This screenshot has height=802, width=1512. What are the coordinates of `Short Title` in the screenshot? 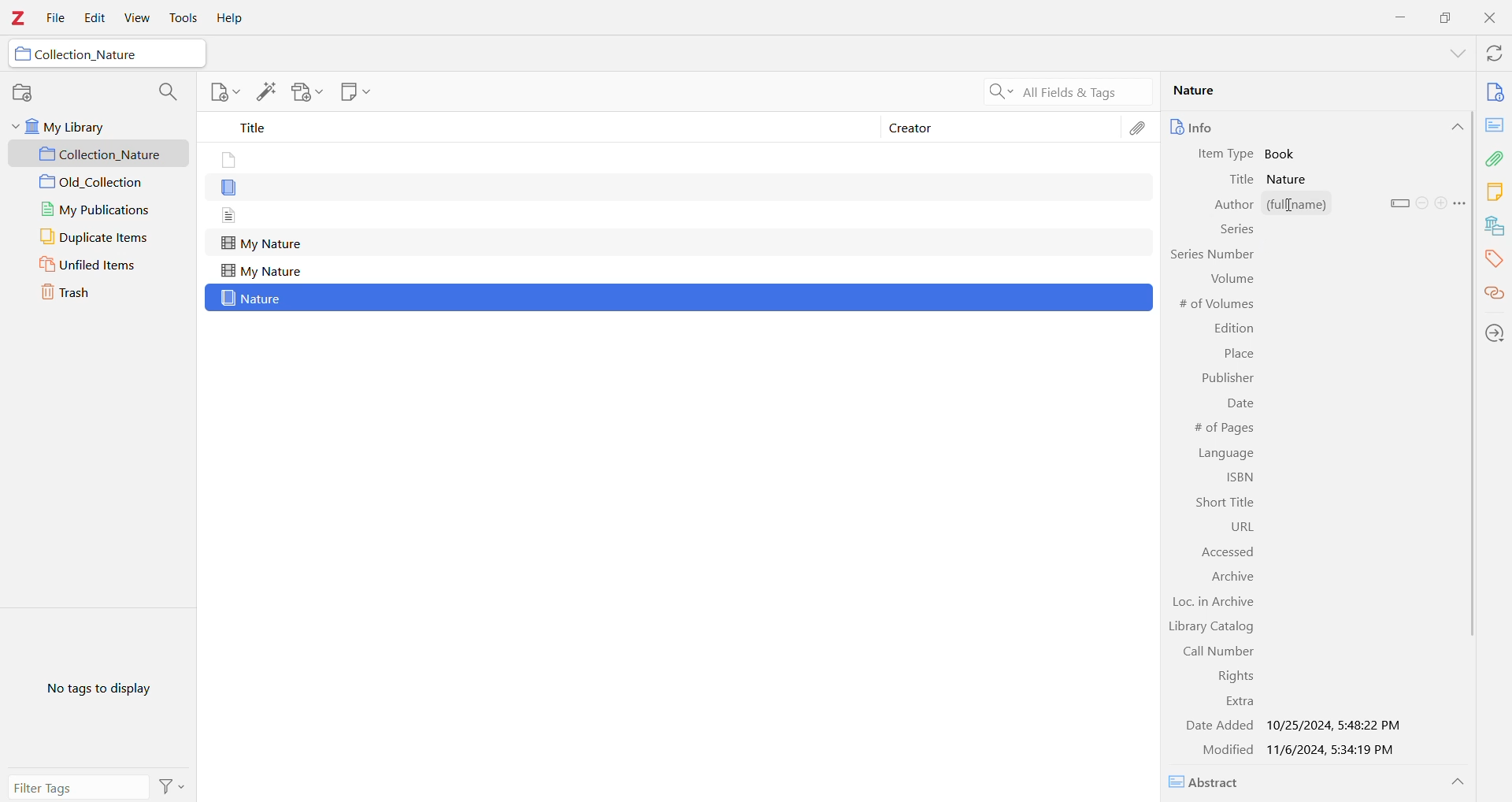 It's located at (1221, 503).